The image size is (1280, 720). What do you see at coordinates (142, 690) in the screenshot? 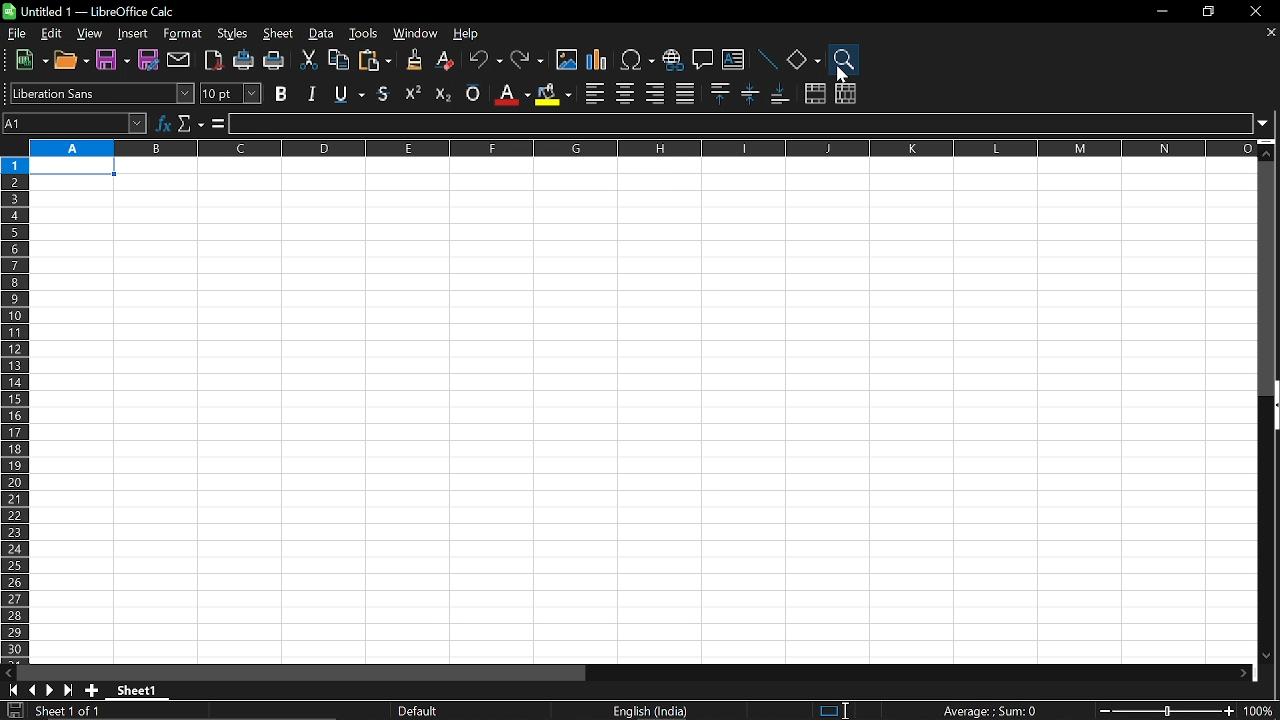
I see `sheet name` at bounding box center [142, 690].